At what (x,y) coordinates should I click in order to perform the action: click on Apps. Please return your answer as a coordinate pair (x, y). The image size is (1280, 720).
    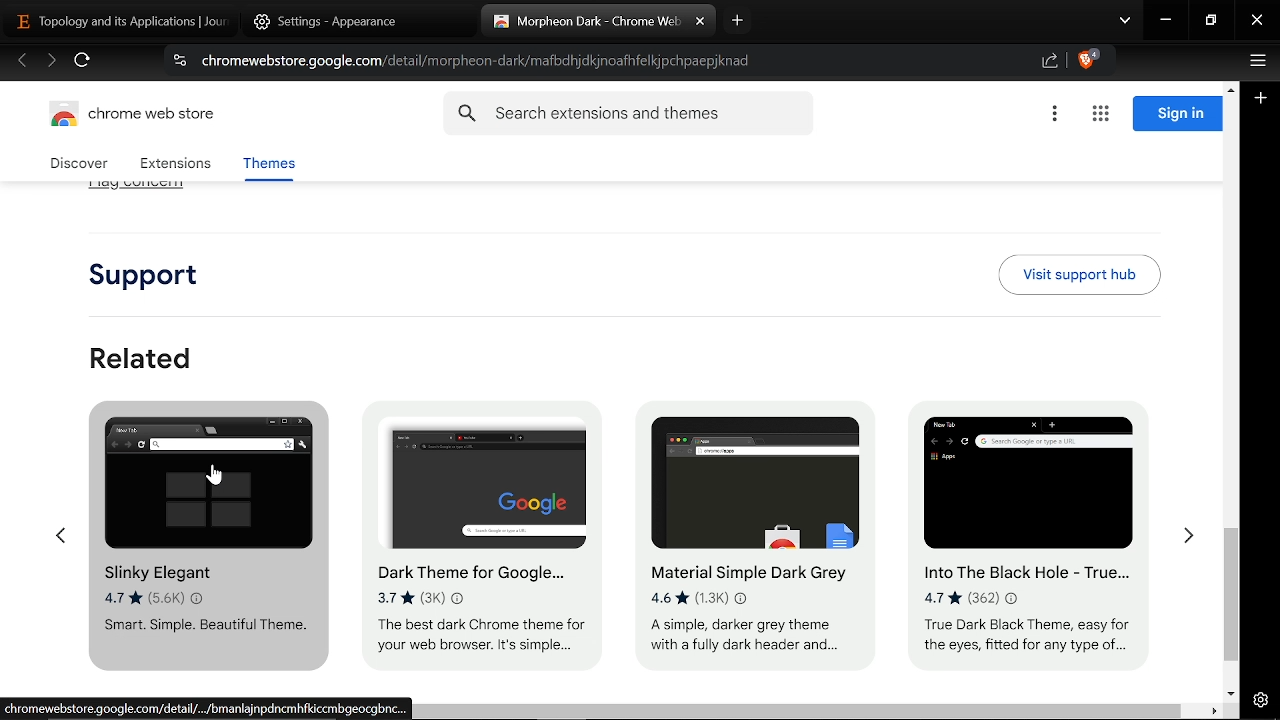
    Looking at the image, I should click on (1100, 115).